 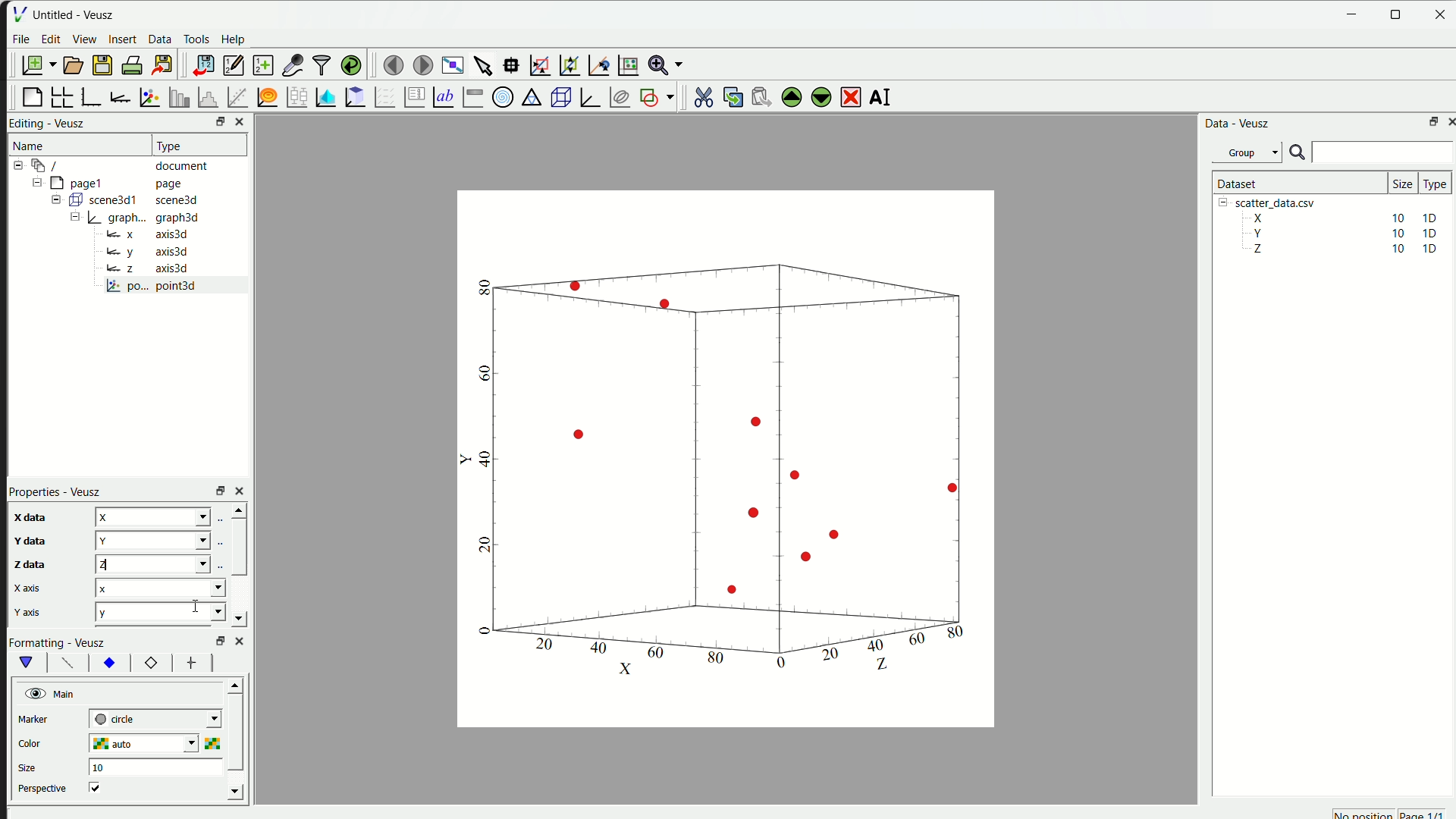 I want to click on View, so click(x=83, y=38).